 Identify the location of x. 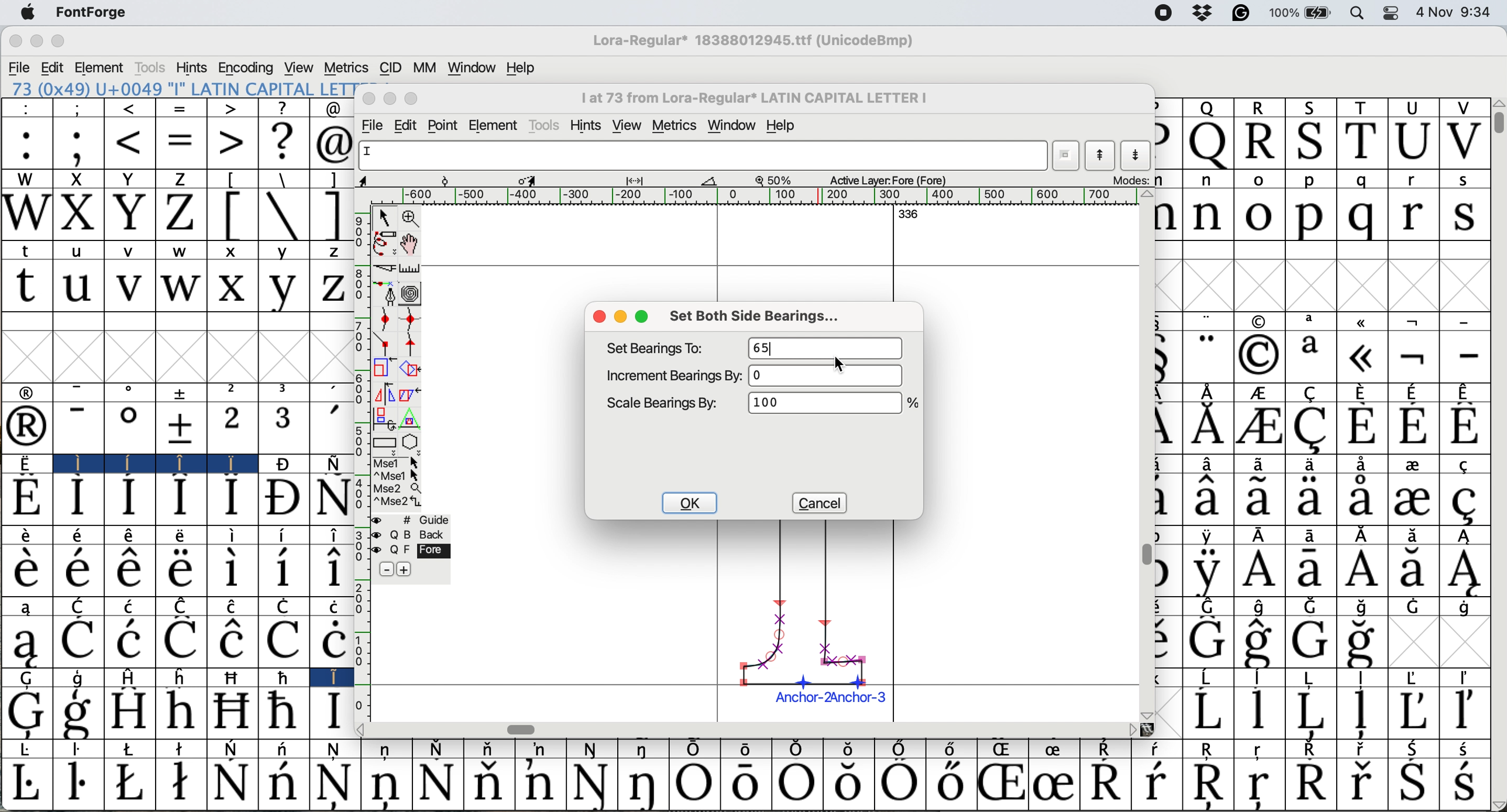
(232, 286).